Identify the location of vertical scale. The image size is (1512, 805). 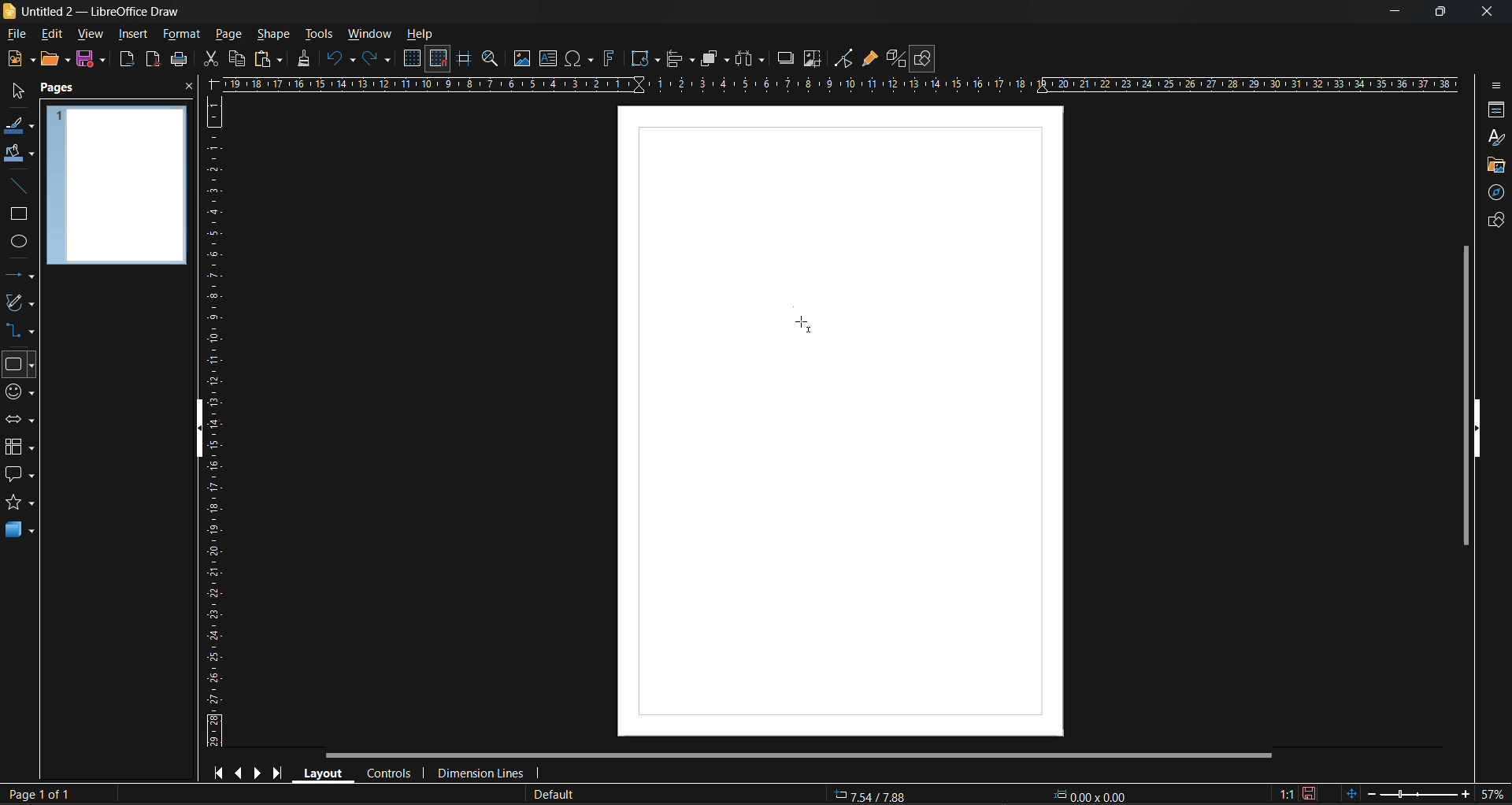
(213, 421).